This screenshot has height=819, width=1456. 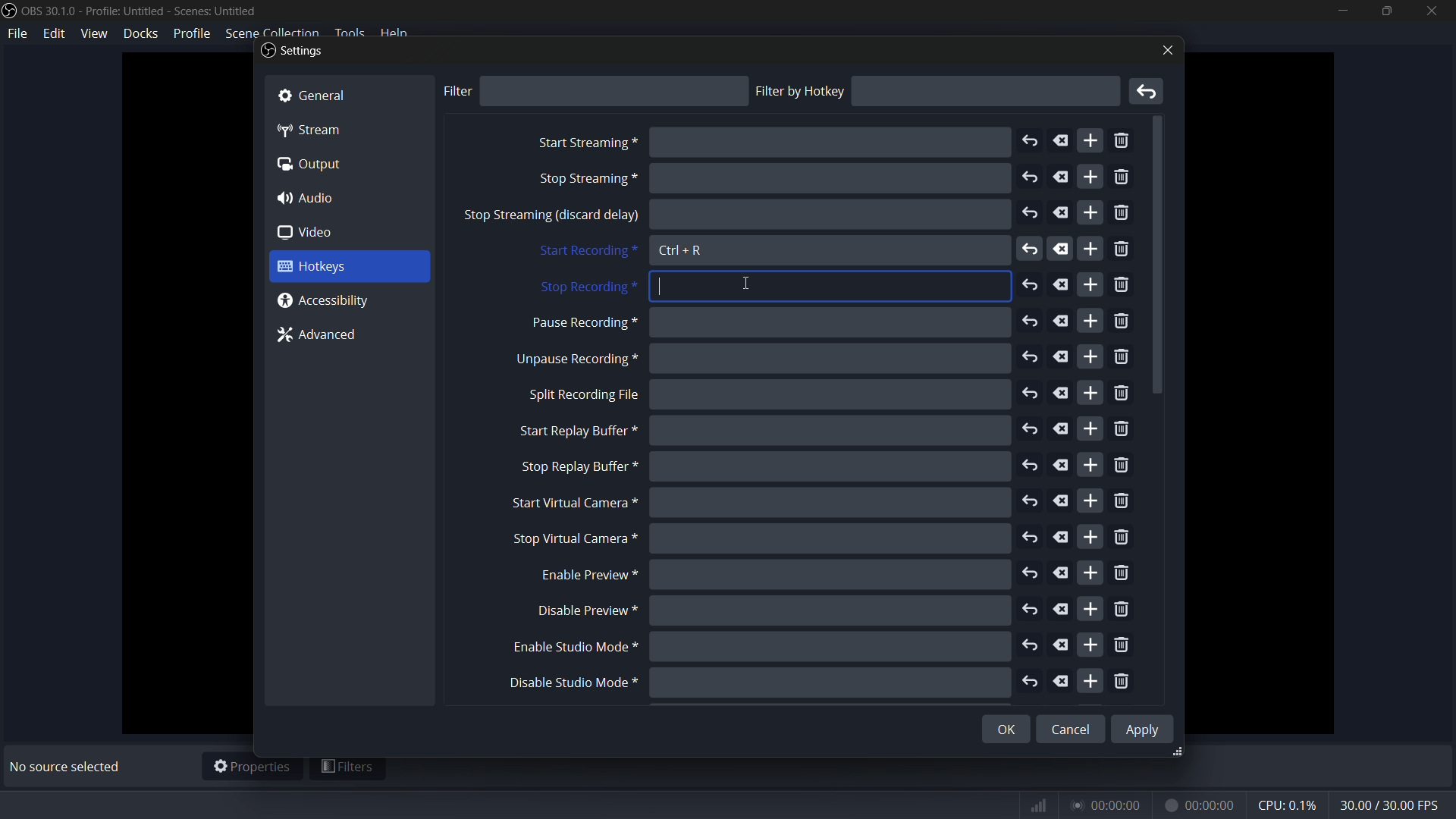 I want to click on start virtual camera, so click(x=570, y=504).